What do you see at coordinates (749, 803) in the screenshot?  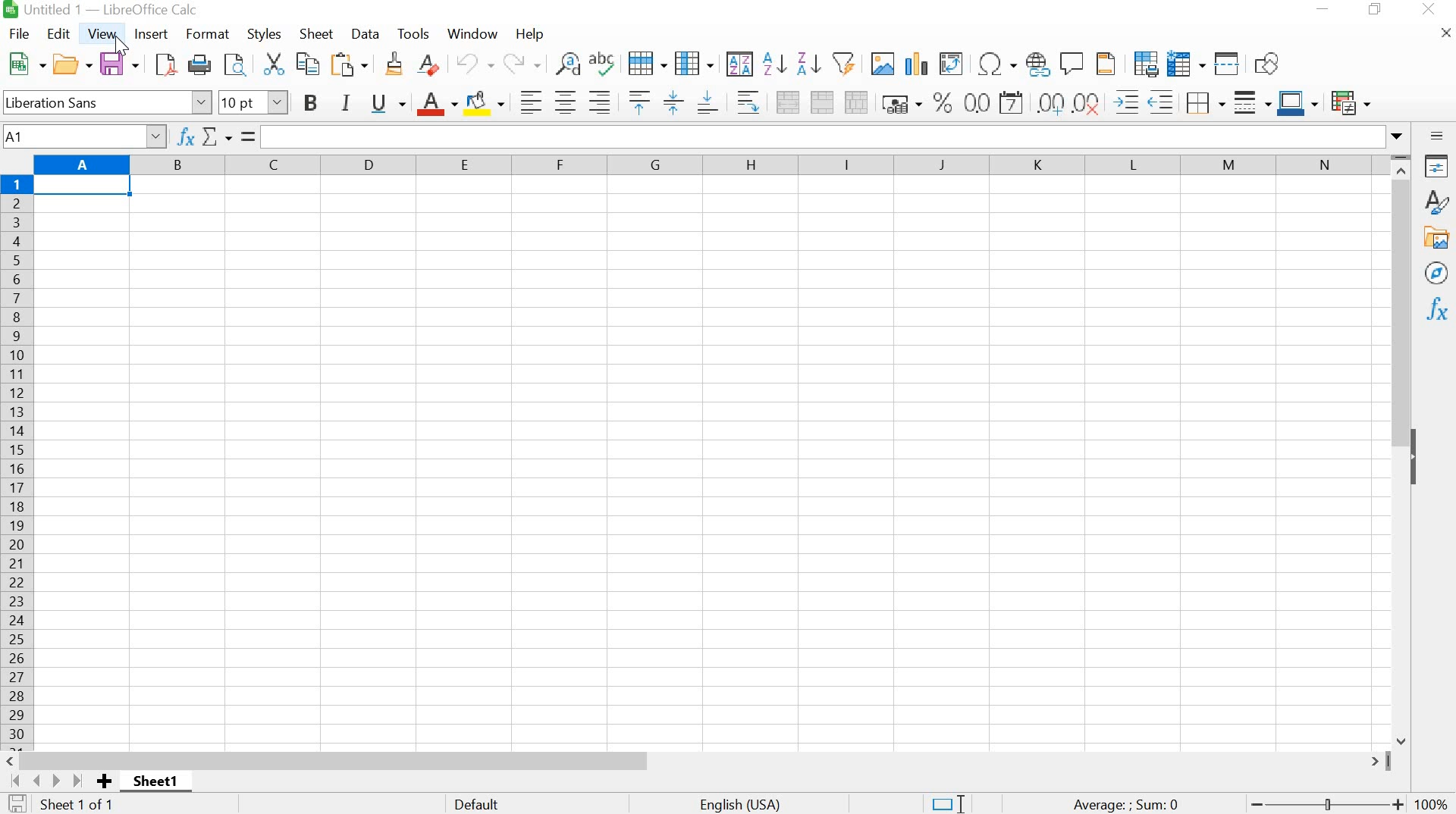 I see `TEST LANGUAGE` at bounding box center [749, 803].